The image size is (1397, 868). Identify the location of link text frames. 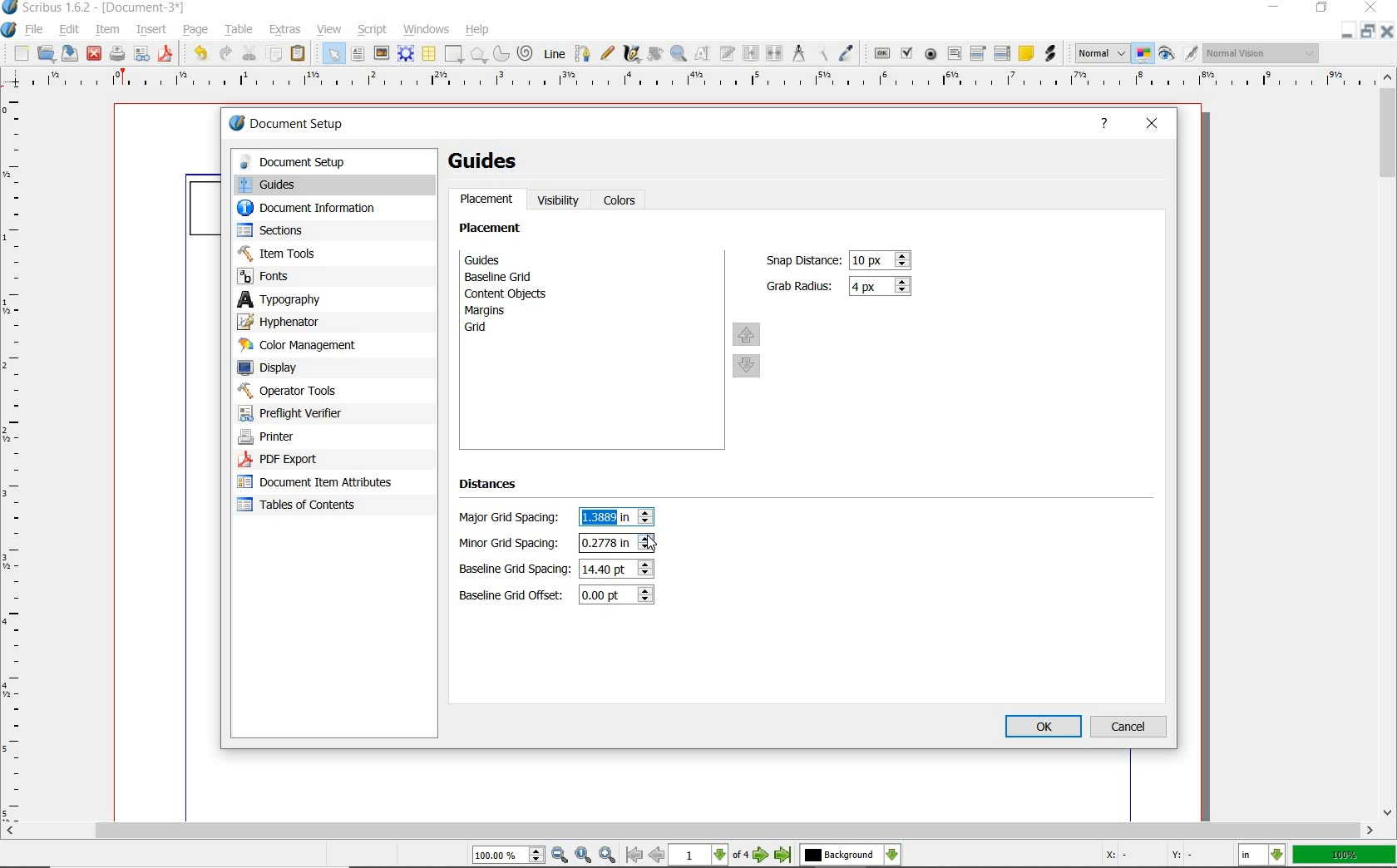
(751, 53).